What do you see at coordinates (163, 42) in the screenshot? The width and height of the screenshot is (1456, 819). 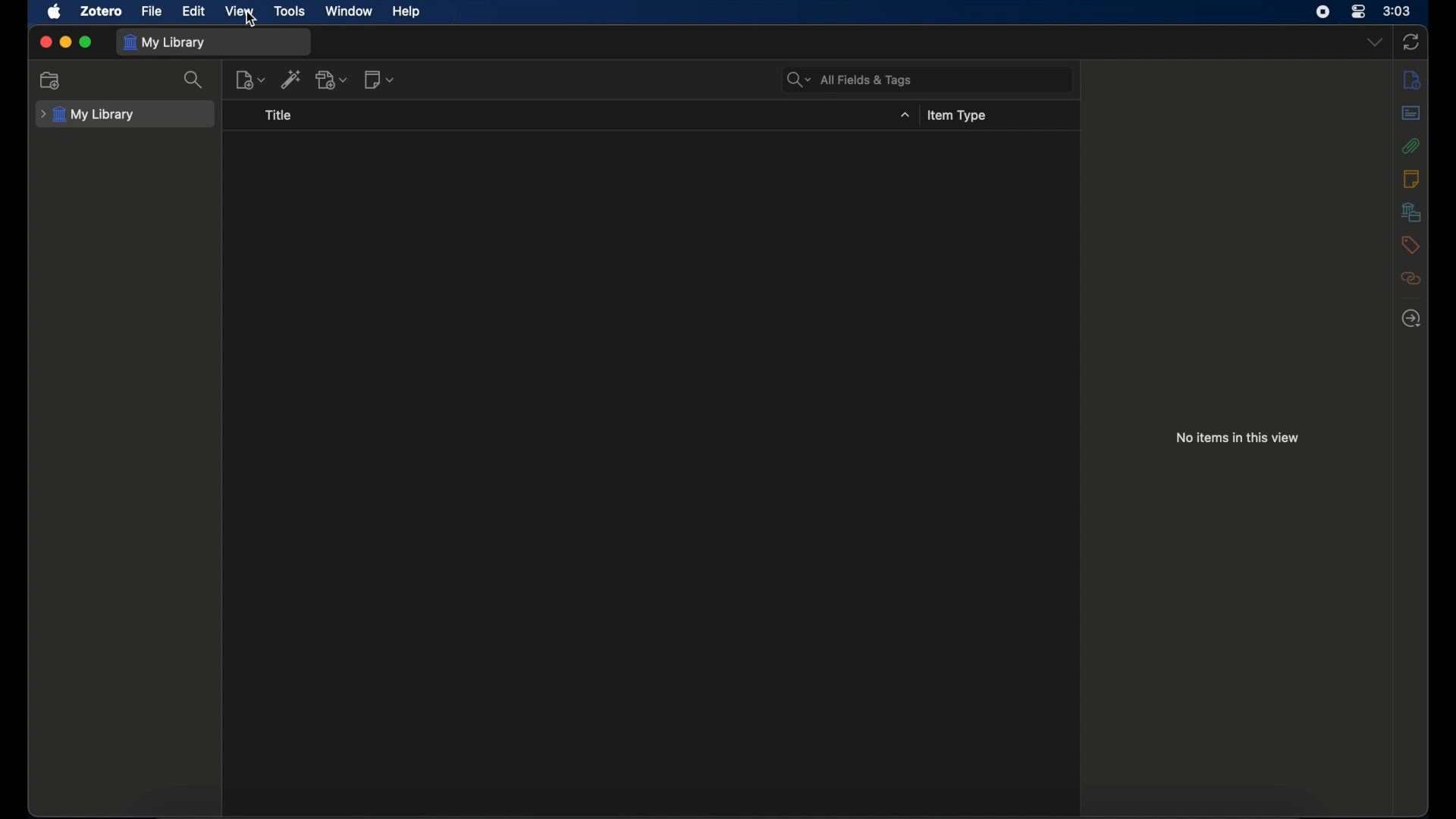 I see `my library` at bounding box center [163, 42].